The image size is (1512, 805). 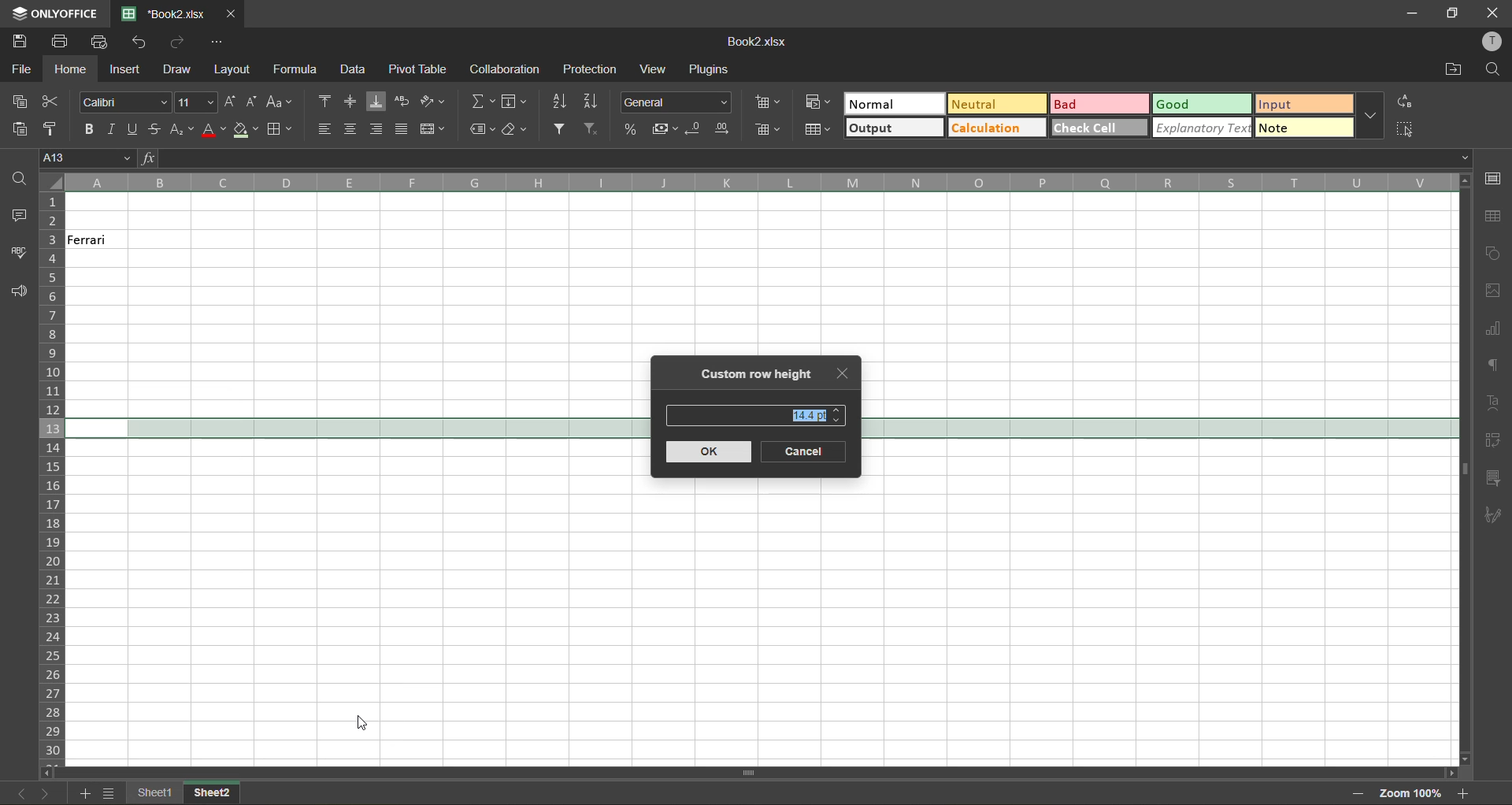 I want to click on custom row height, so click(x=755, y=375).